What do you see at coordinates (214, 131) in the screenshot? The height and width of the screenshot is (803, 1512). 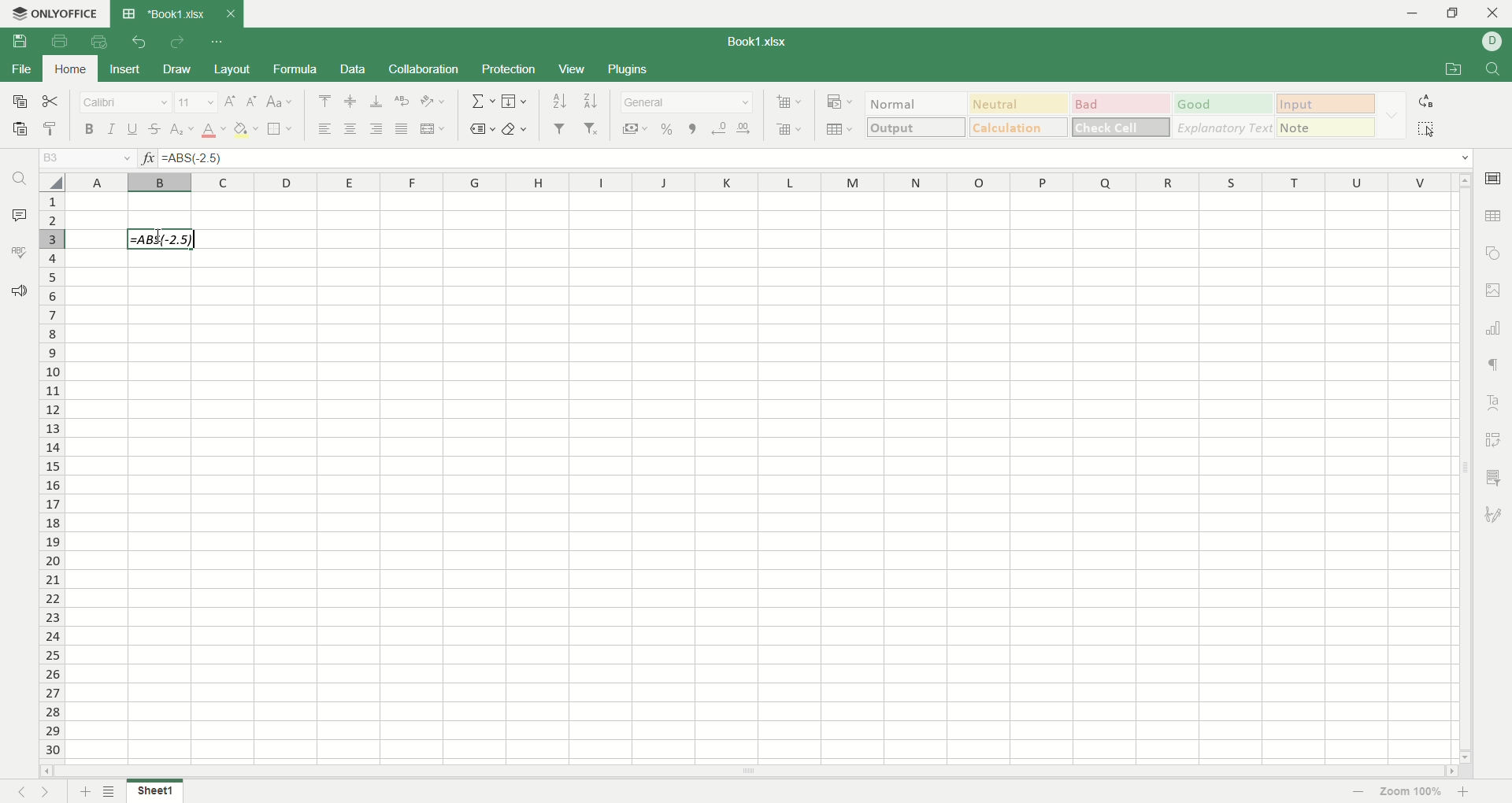 I see `font color` at bounding box center [214, 131].